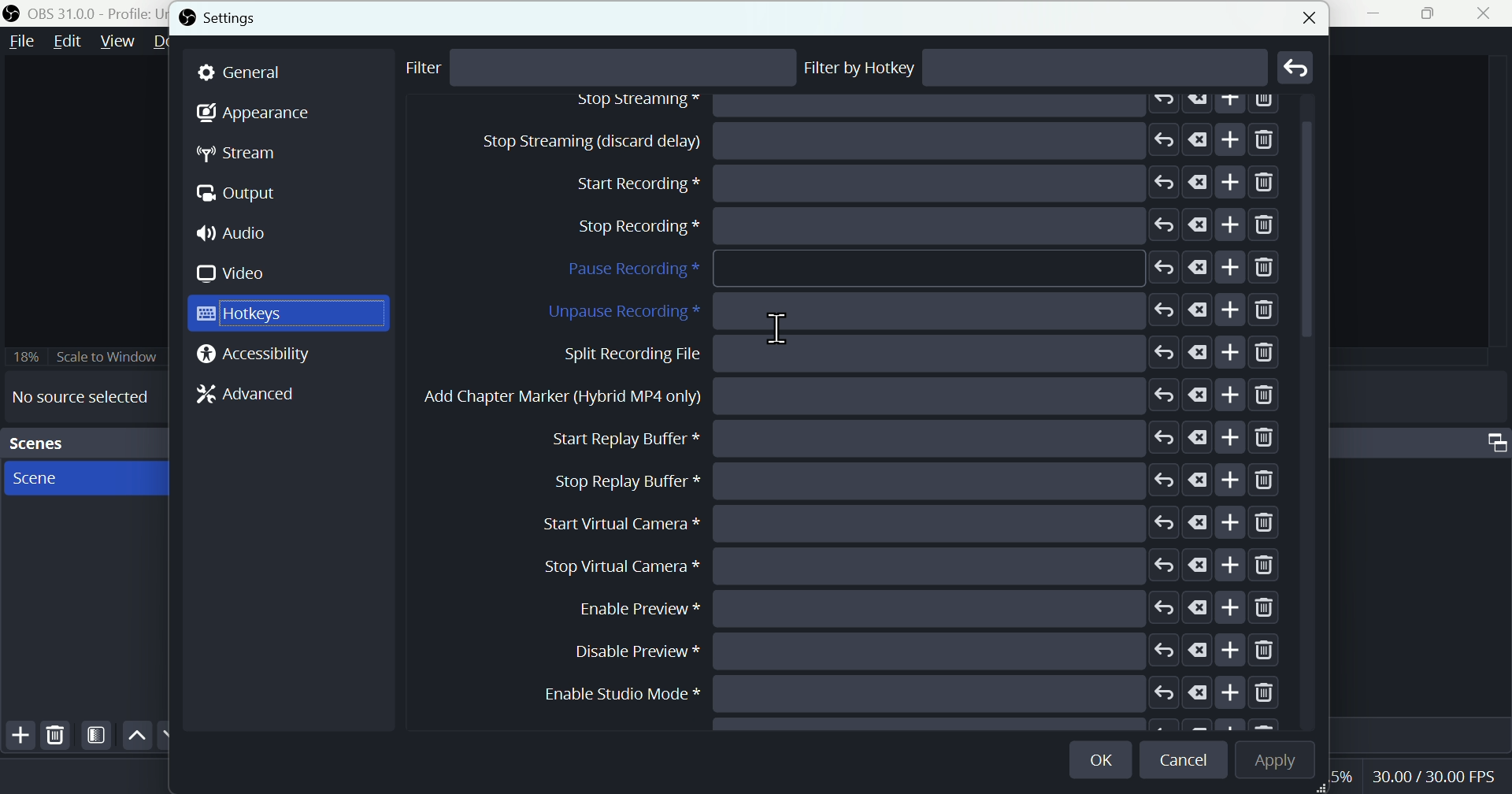 This screenshot has height=794, width=1512. Describe the element at coordinates (253, 117) in the screenshot. I see `Appearance` at that location.